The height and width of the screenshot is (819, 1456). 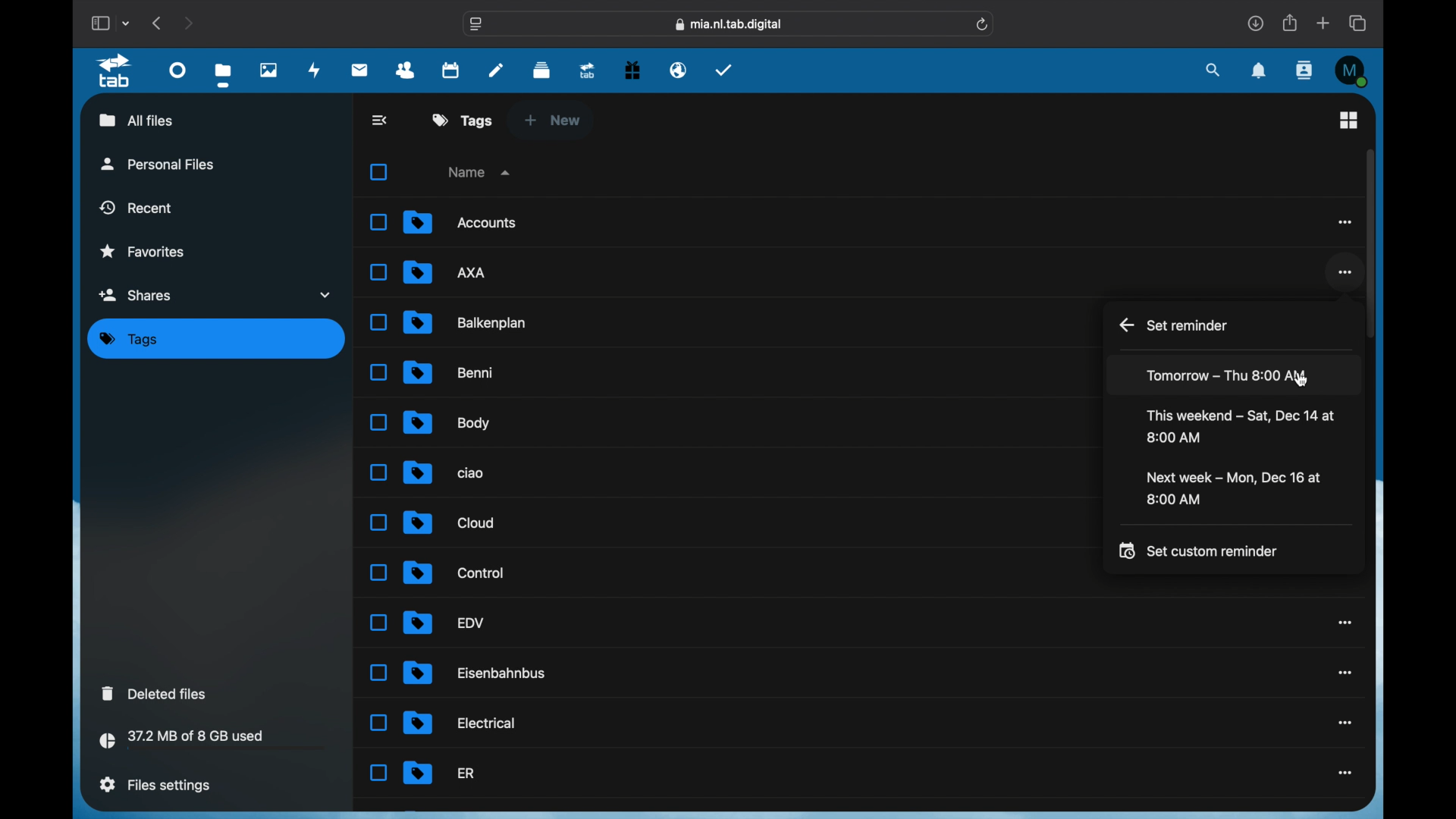 What do you see at coordinates (378, 522) in the screenshot?
I see `Unselected Checkbox` at bounding box center [378, 522].